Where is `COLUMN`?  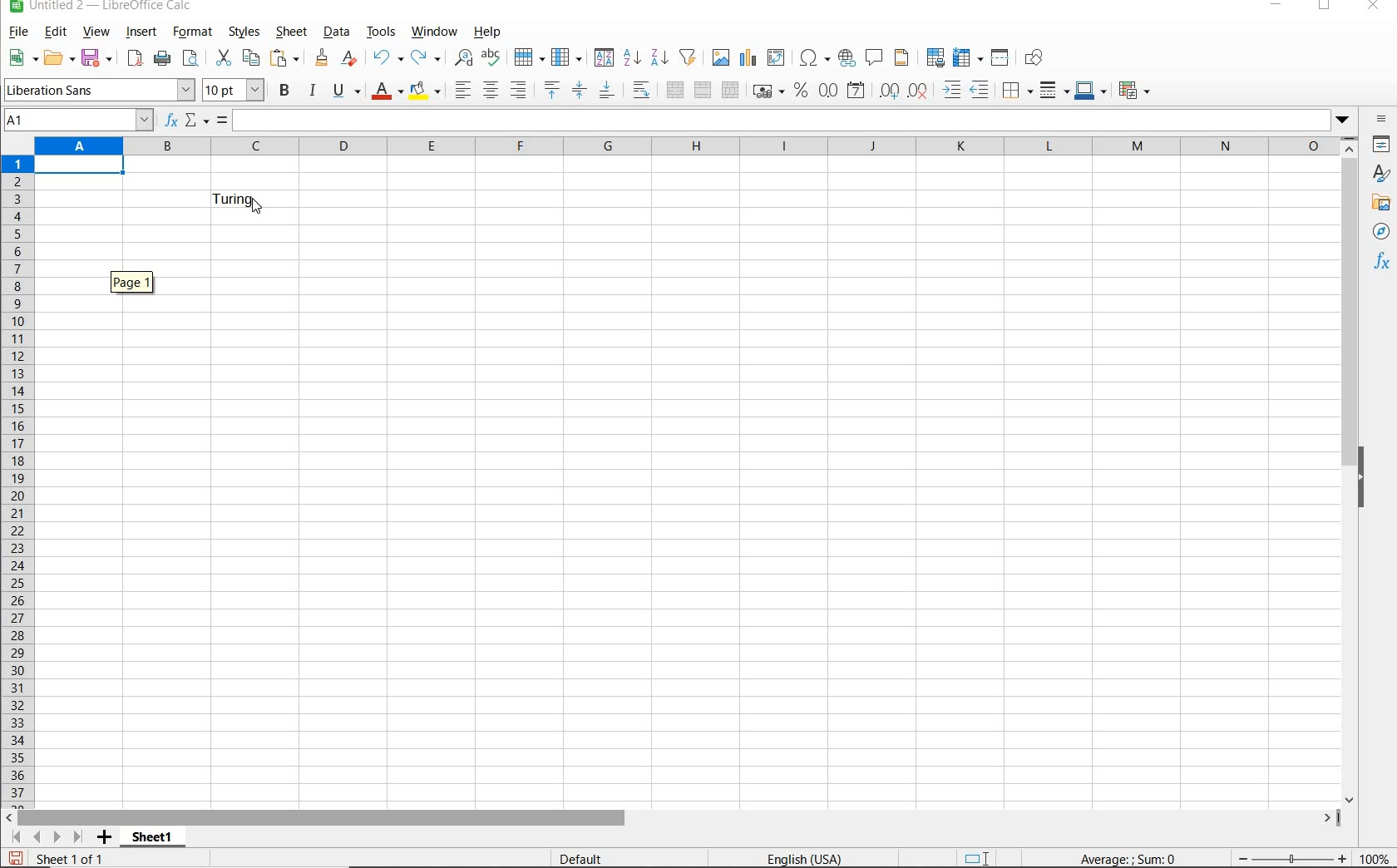 COLUMN is located at coordinates (566, 56).